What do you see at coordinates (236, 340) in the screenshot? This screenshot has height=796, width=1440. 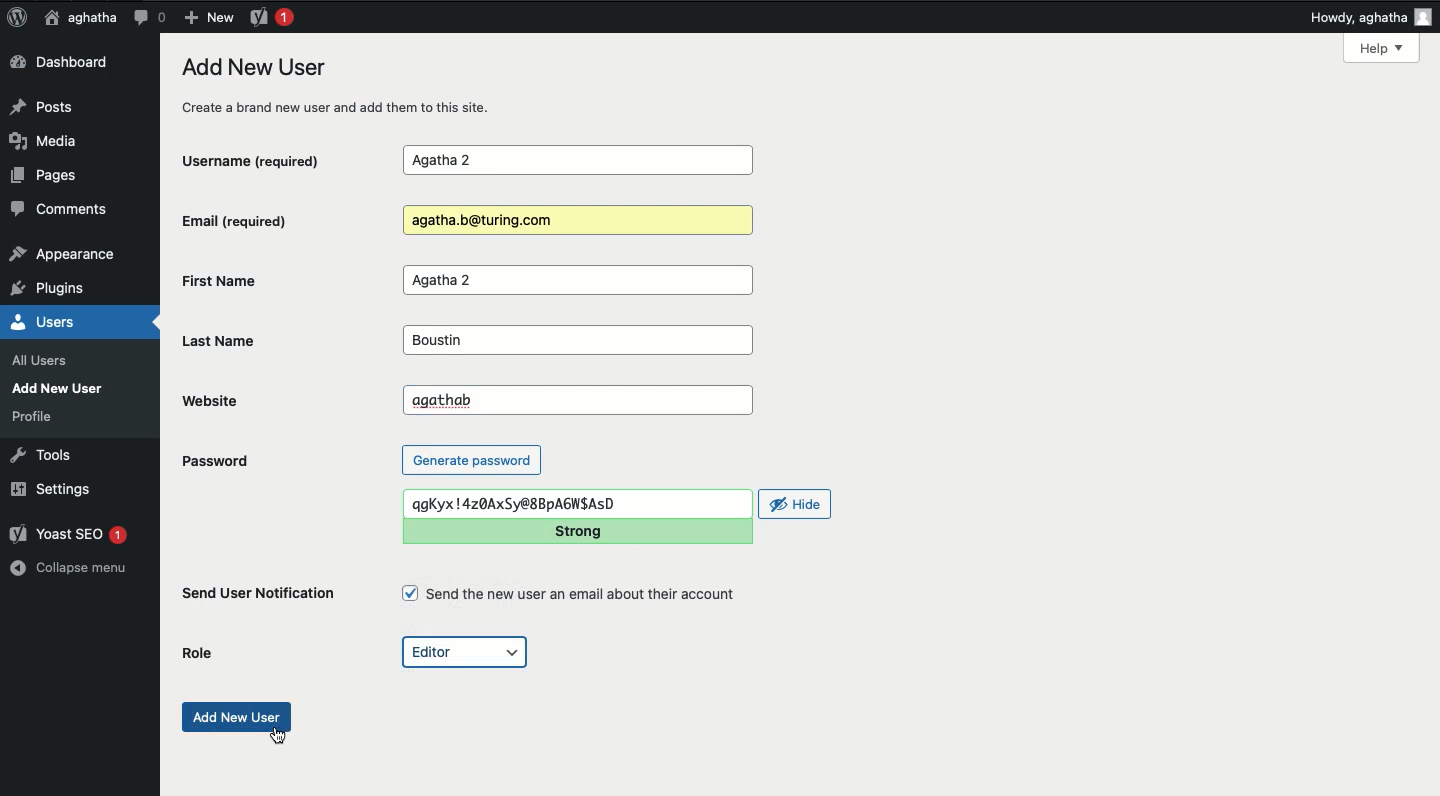 I see `Last name` at bounding box center [236, 340].